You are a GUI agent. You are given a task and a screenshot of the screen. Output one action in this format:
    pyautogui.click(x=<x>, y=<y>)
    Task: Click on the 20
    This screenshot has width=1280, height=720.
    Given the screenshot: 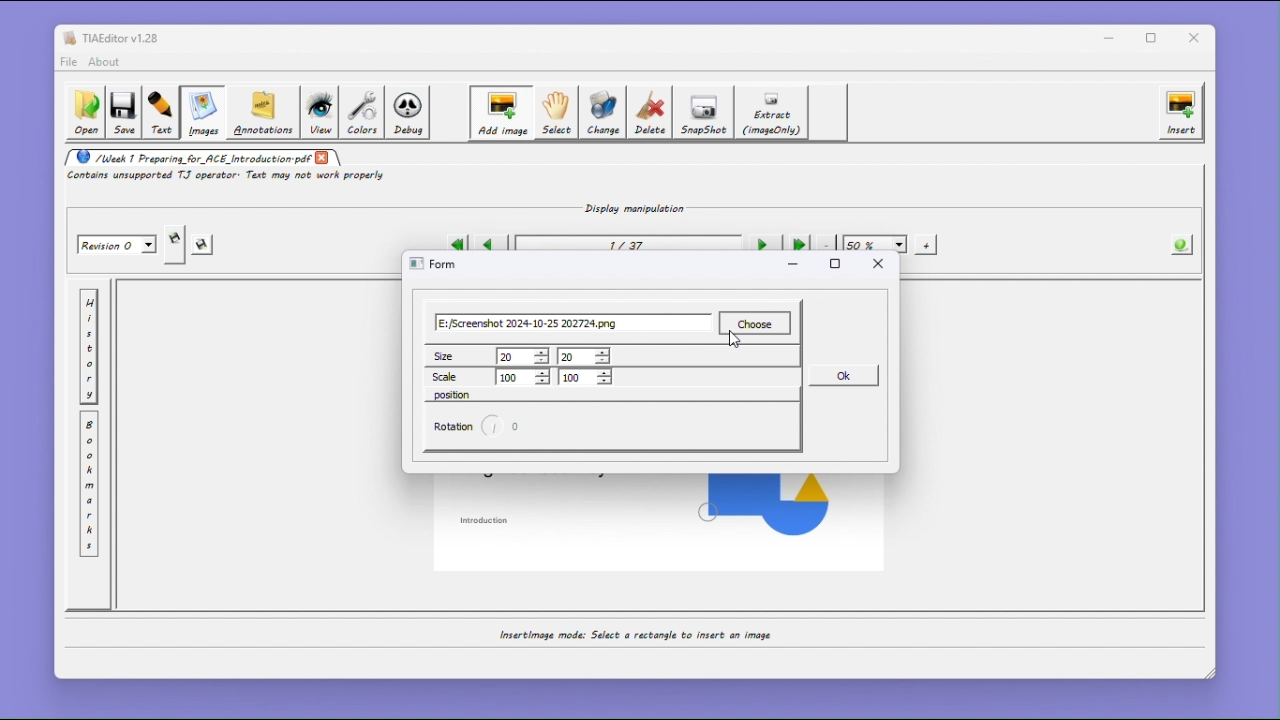 What is the action you would take?
    pyautogui.click(x=523, y=356)
    